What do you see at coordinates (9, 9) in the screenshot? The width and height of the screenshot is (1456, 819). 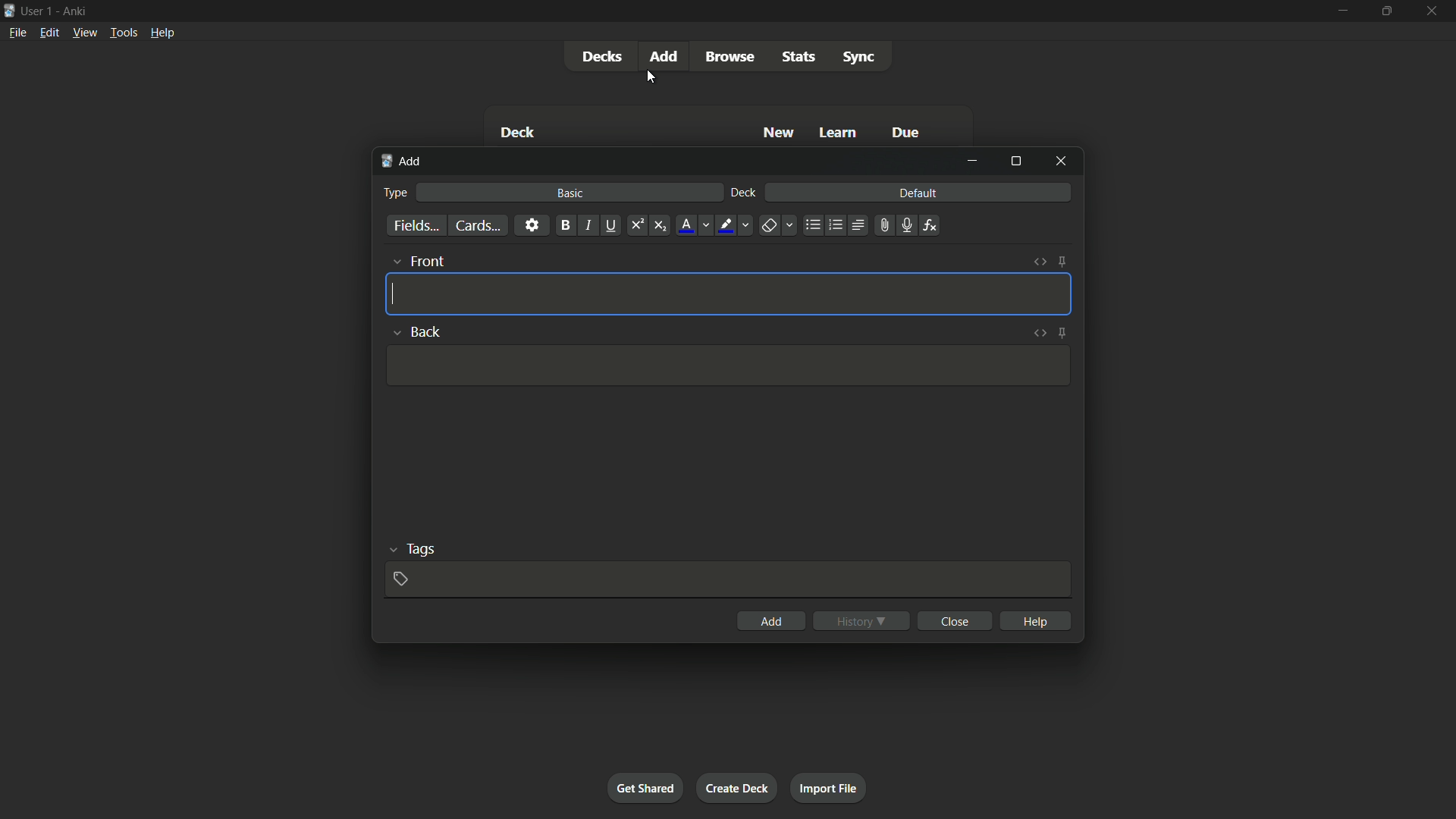 I see `app icon` at bounding box center [9, 9].